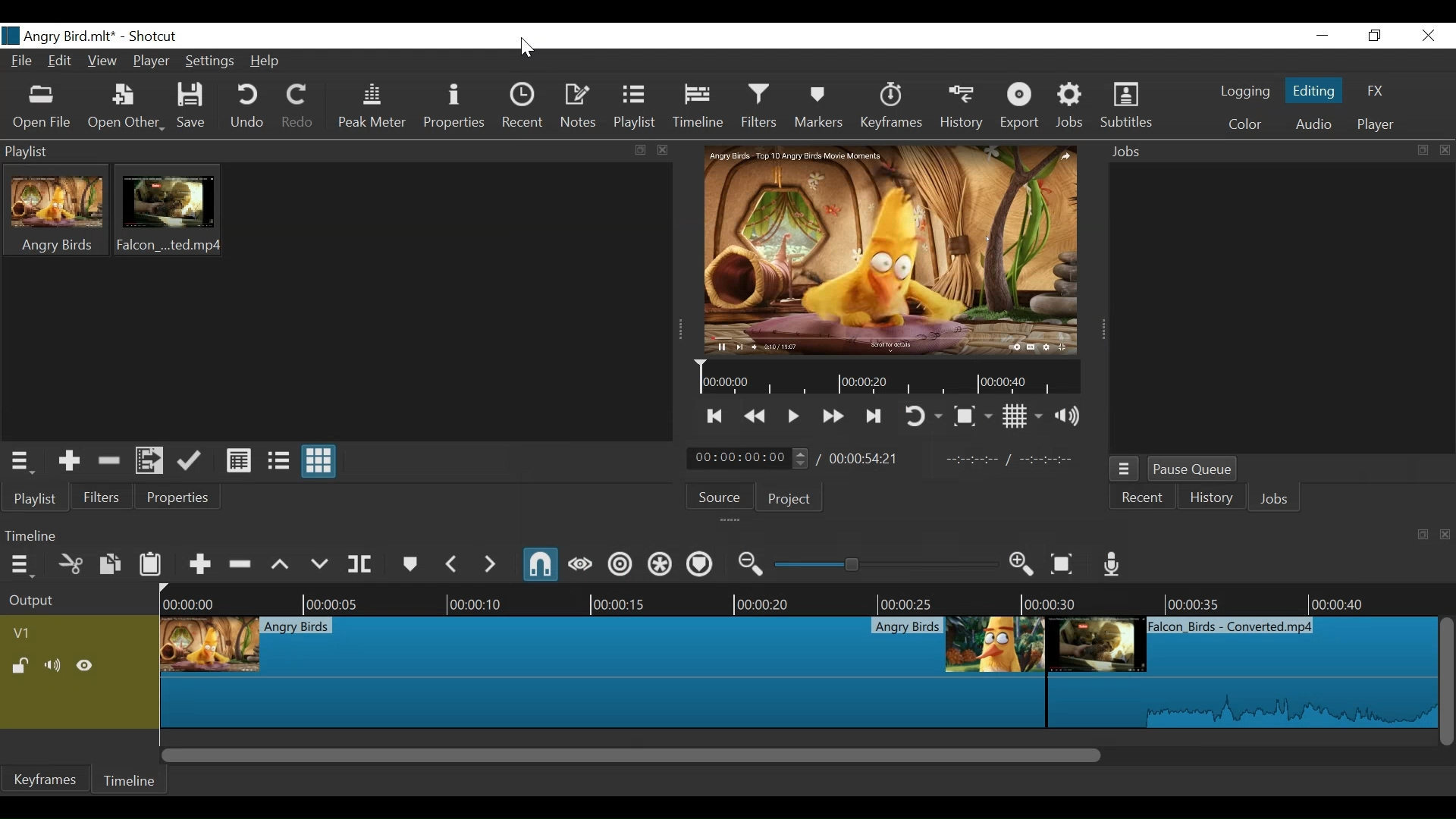 Image resolution: width=1456 pixels, height=819 pixels. I want to click on Timeline, so click(129, 780).